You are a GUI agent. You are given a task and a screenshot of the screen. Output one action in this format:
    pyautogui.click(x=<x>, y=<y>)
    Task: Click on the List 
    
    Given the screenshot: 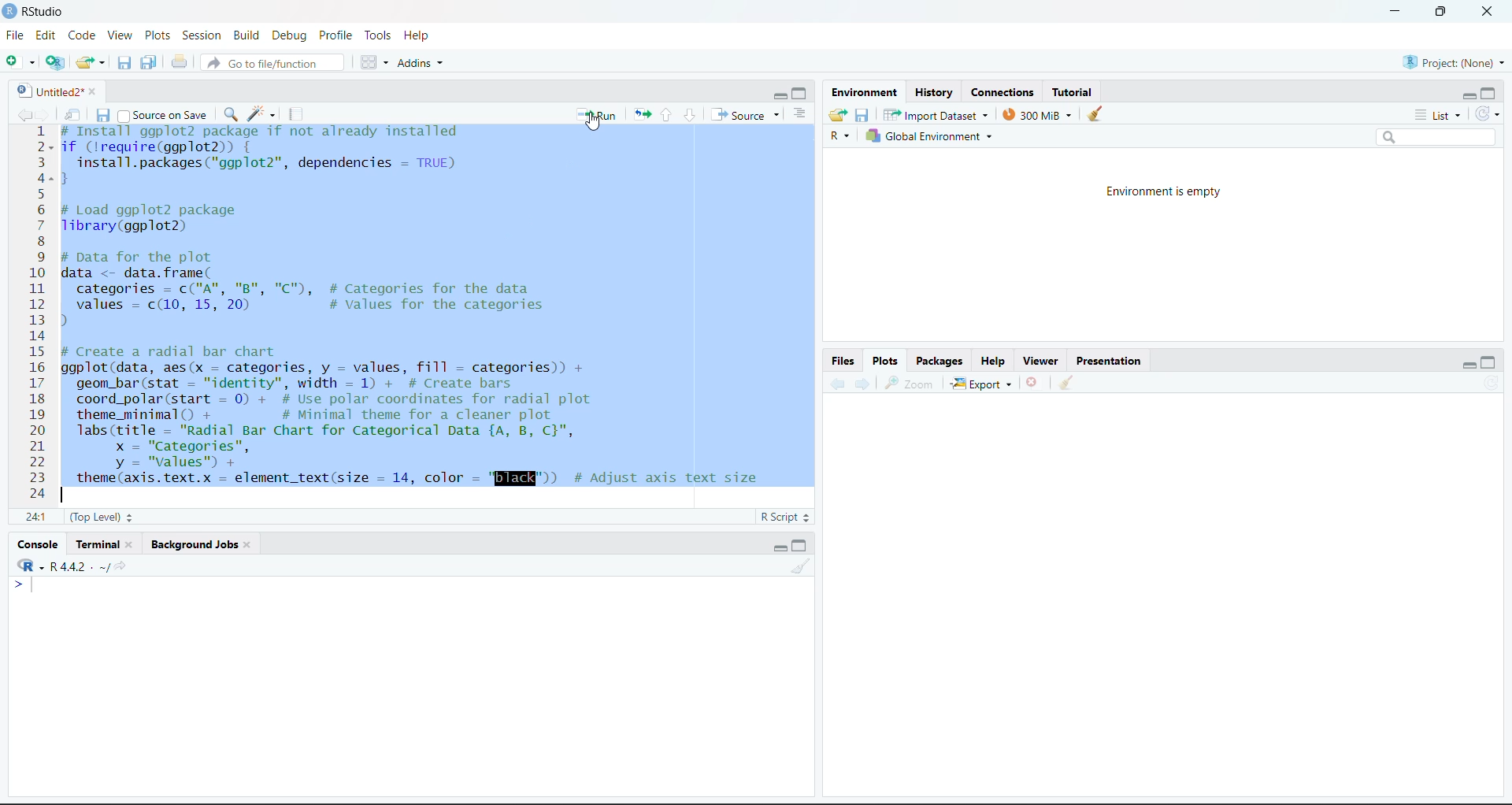 What is the action you would take?
    pyautogui.click(x=1439, y=116)
    